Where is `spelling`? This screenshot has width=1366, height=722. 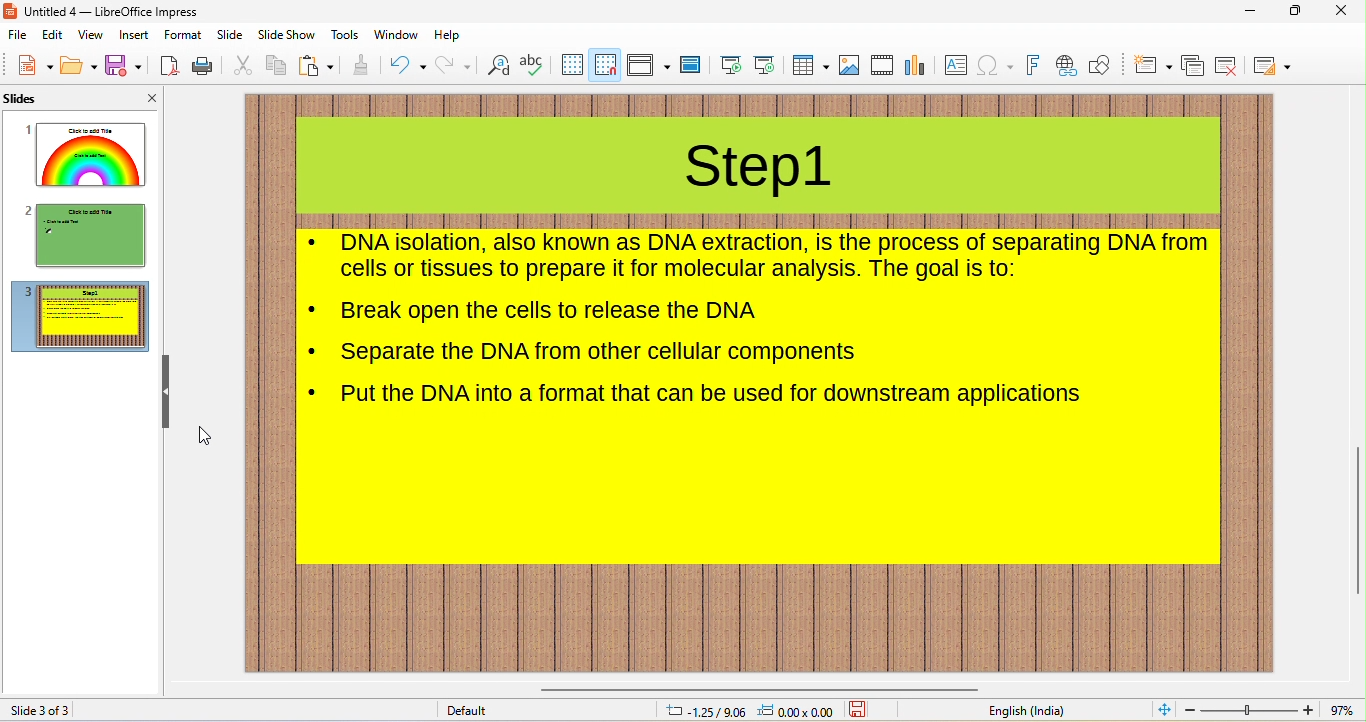 spelling is located at coordinates (533, 63).